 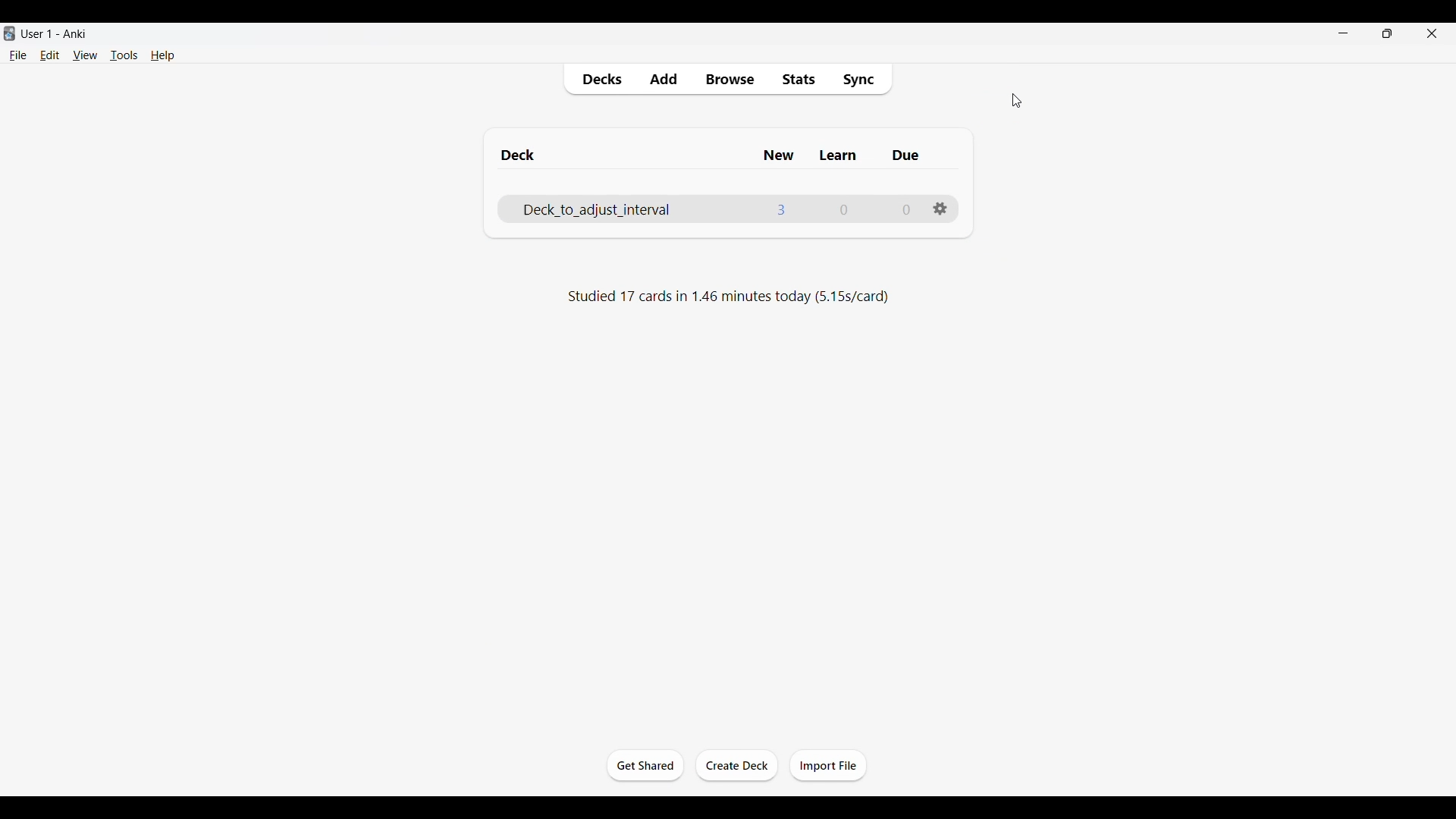 I want to click on New column, so click(x=779, y=158).